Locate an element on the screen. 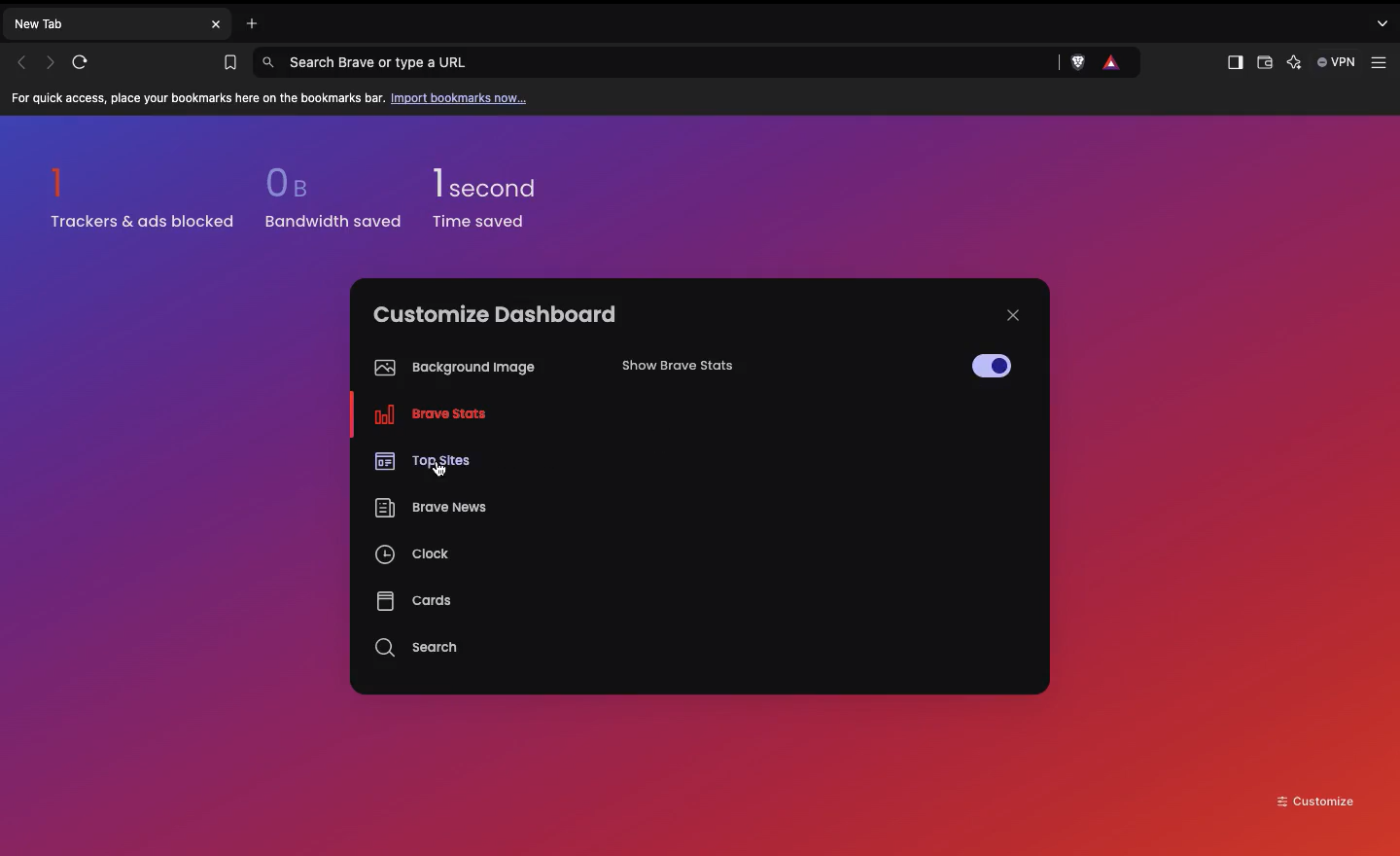  Search is located at coordinates (419, 648).